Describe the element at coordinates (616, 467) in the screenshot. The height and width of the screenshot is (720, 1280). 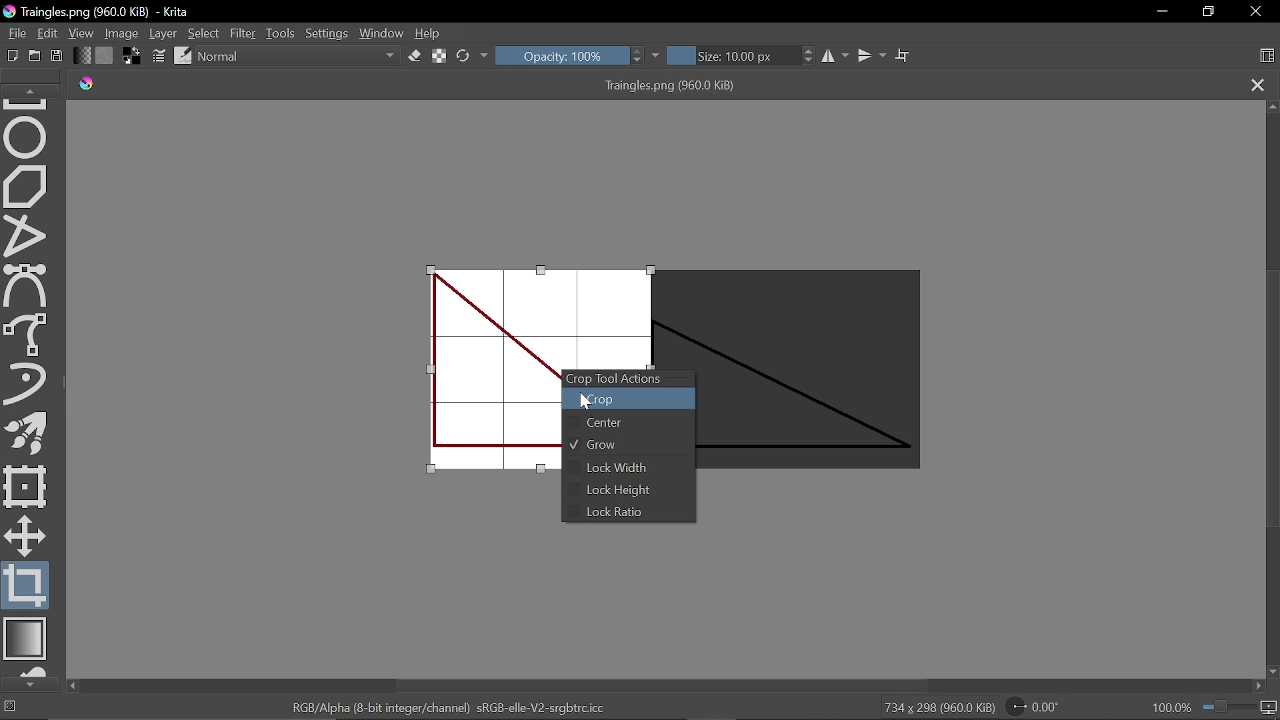
I see `Lock Width` at that location.